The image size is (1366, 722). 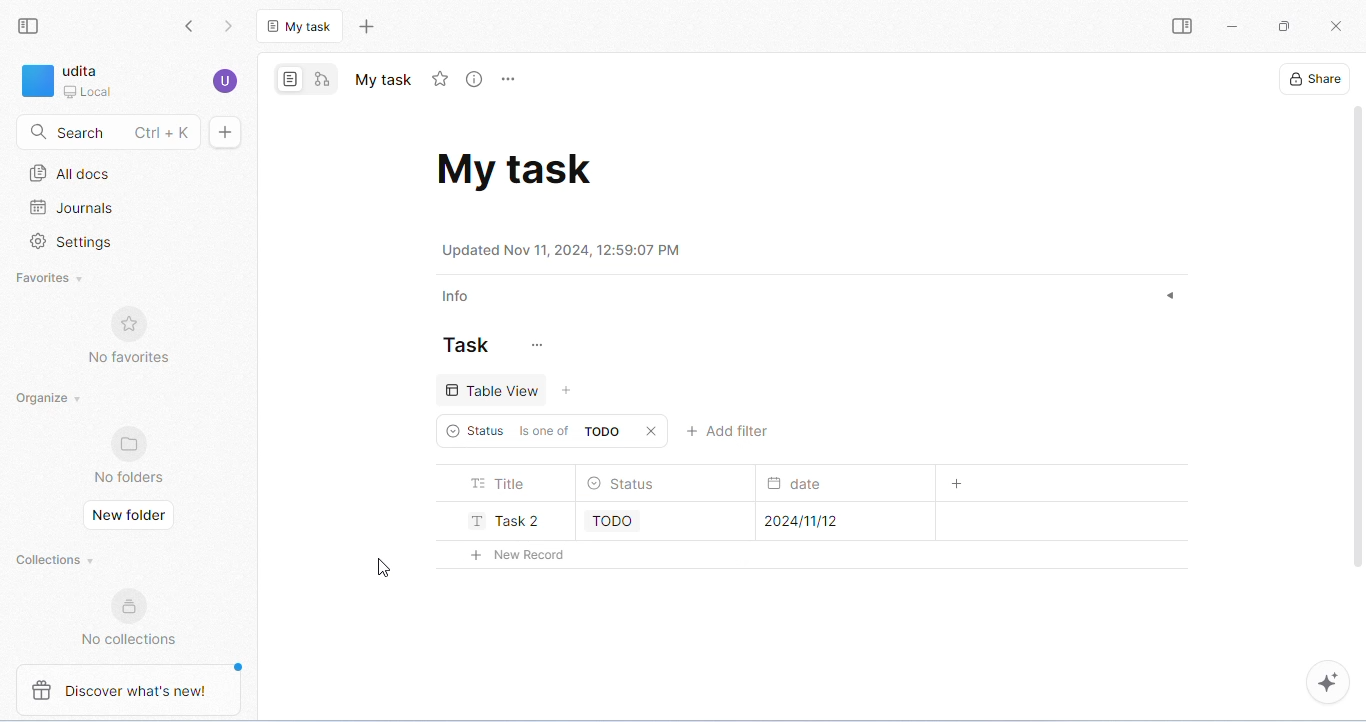 What do you see at coordinates (105, 132) in the screenshot?
I see `search` at bounding box center [105, 132].